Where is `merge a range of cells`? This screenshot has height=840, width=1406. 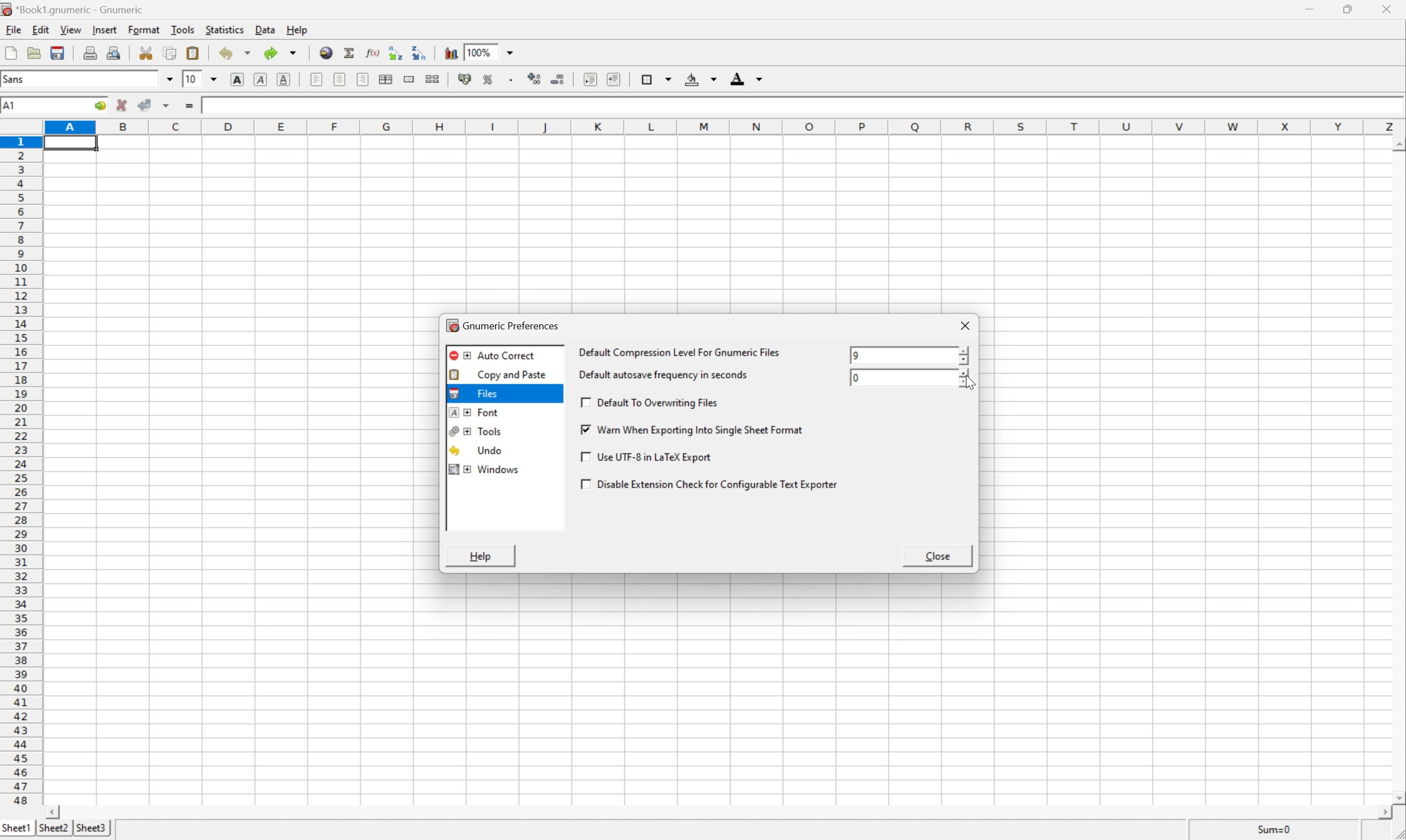
merge a range of cells is located at coordinates (408, 78).